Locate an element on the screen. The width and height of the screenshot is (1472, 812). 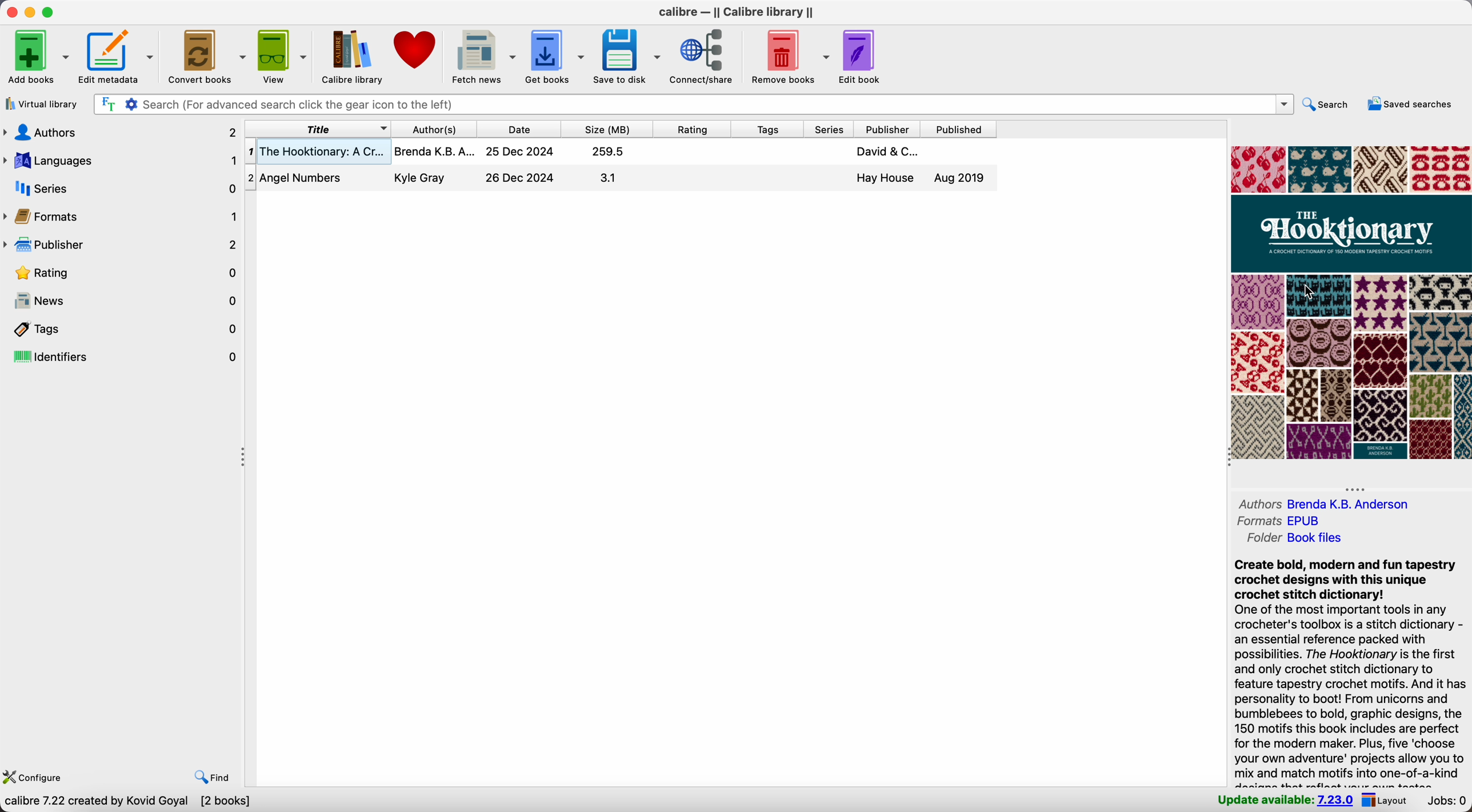
edit metadata is located at coordinates (118, 58).